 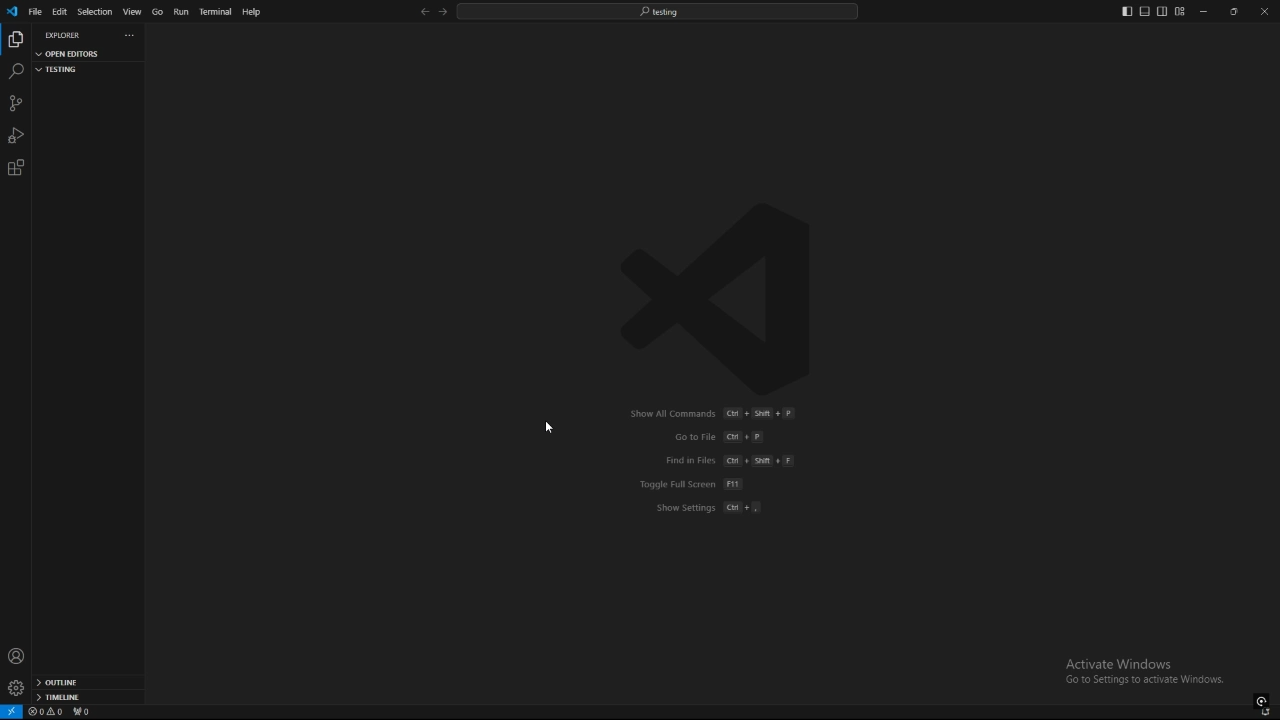 I want to click on back, so click(x=424, y=12).